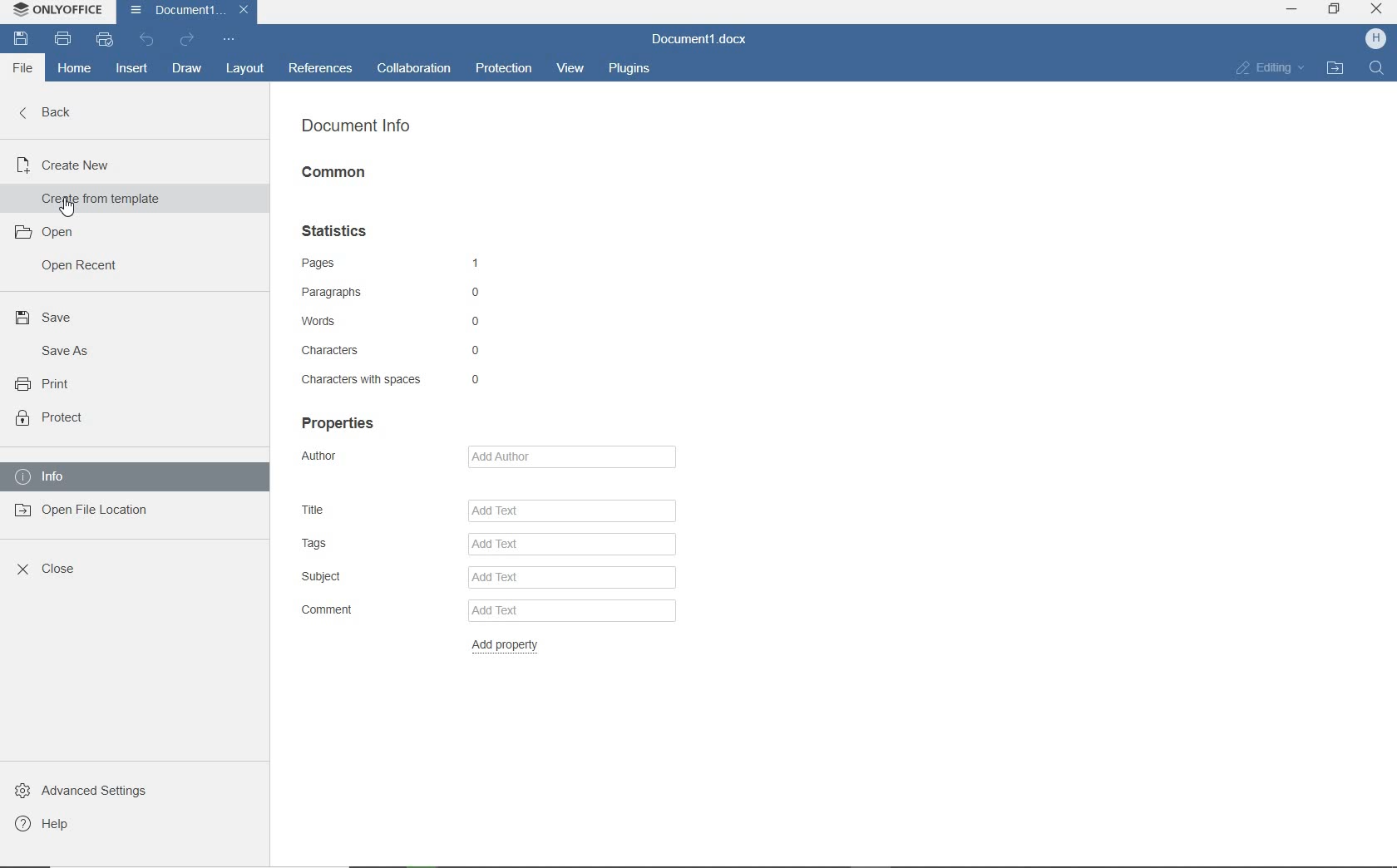 The height and width of the screenshot is (868, 1397). Describe the element at coordinates (187, 69) in the screenshot. I see `draw` at that location.